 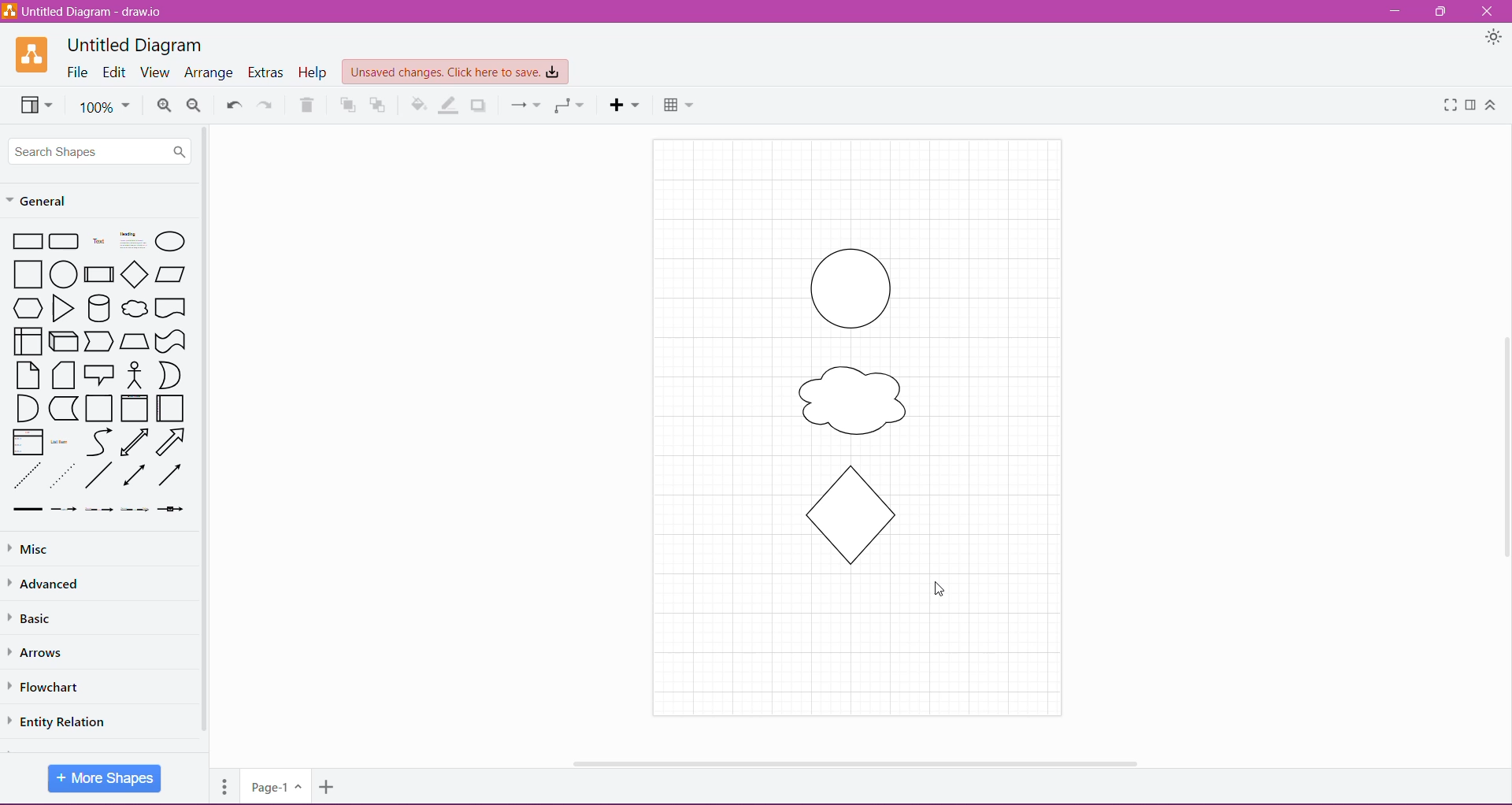 I want to click on Shape 2, so click(x=857, y=401).